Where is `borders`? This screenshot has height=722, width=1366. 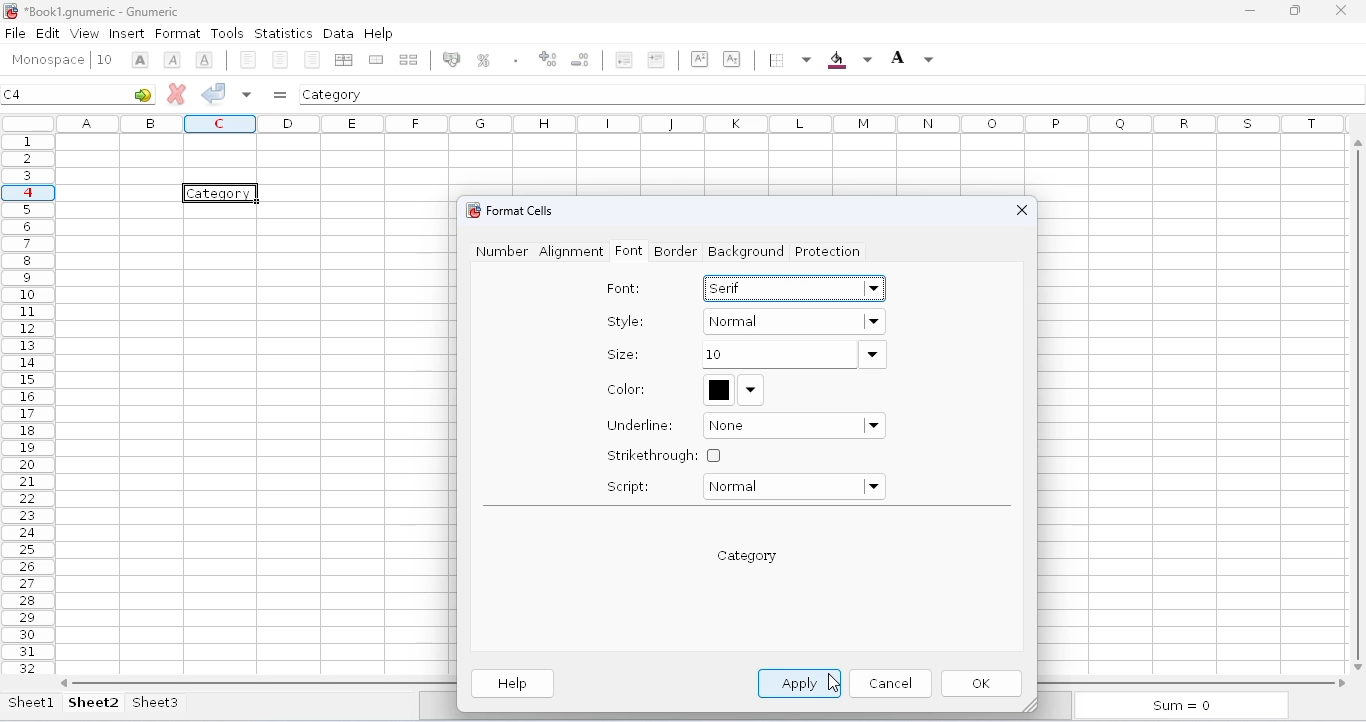 borders is located at coordinates (788, 60).